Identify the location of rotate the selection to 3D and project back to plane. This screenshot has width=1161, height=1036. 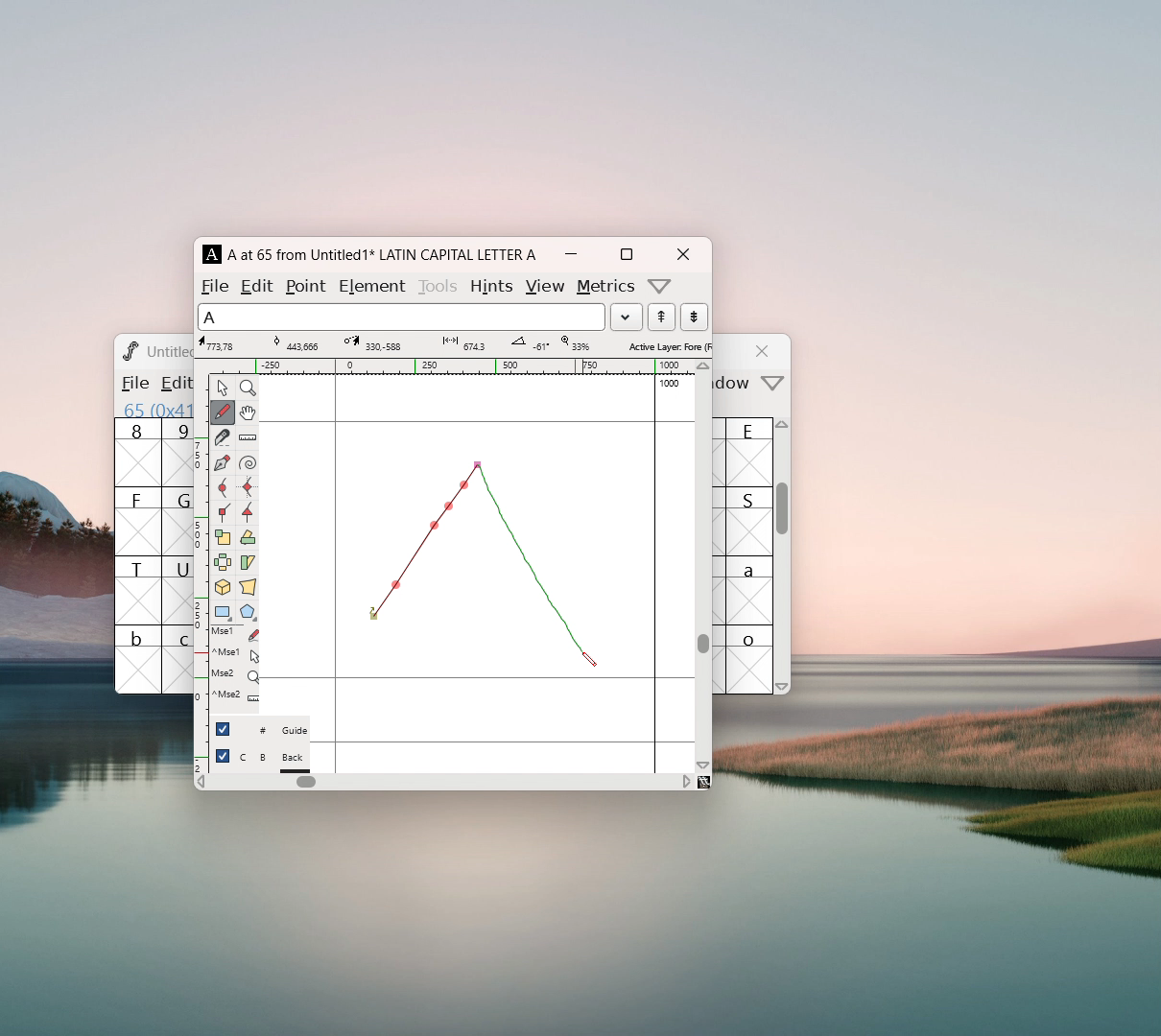
(223, 589).